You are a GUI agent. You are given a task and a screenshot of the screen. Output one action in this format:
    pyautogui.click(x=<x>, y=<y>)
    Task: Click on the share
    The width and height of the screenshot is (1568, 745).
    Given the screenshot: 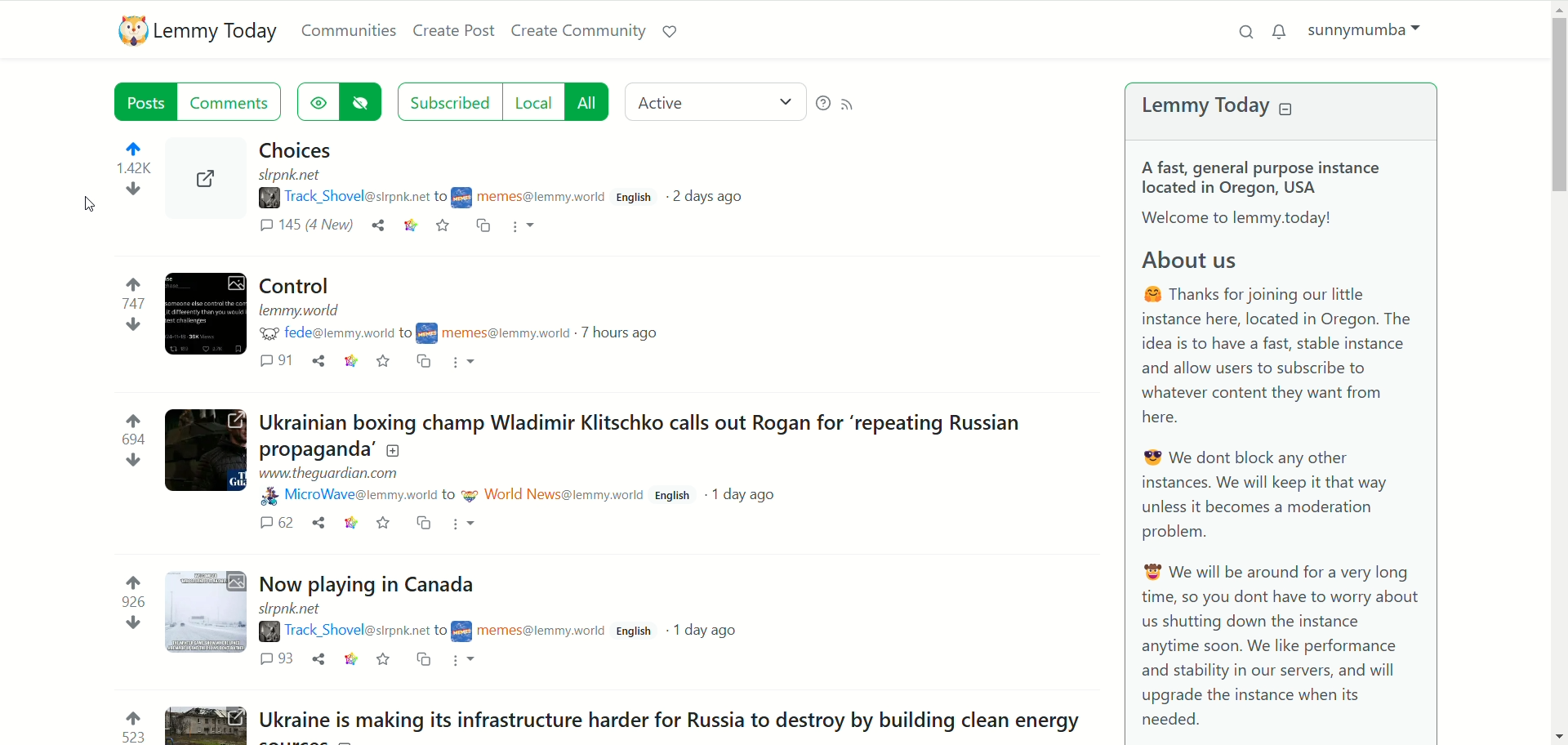 What is the action you would take?
    pyautogui.click(x=323, y=523)
    